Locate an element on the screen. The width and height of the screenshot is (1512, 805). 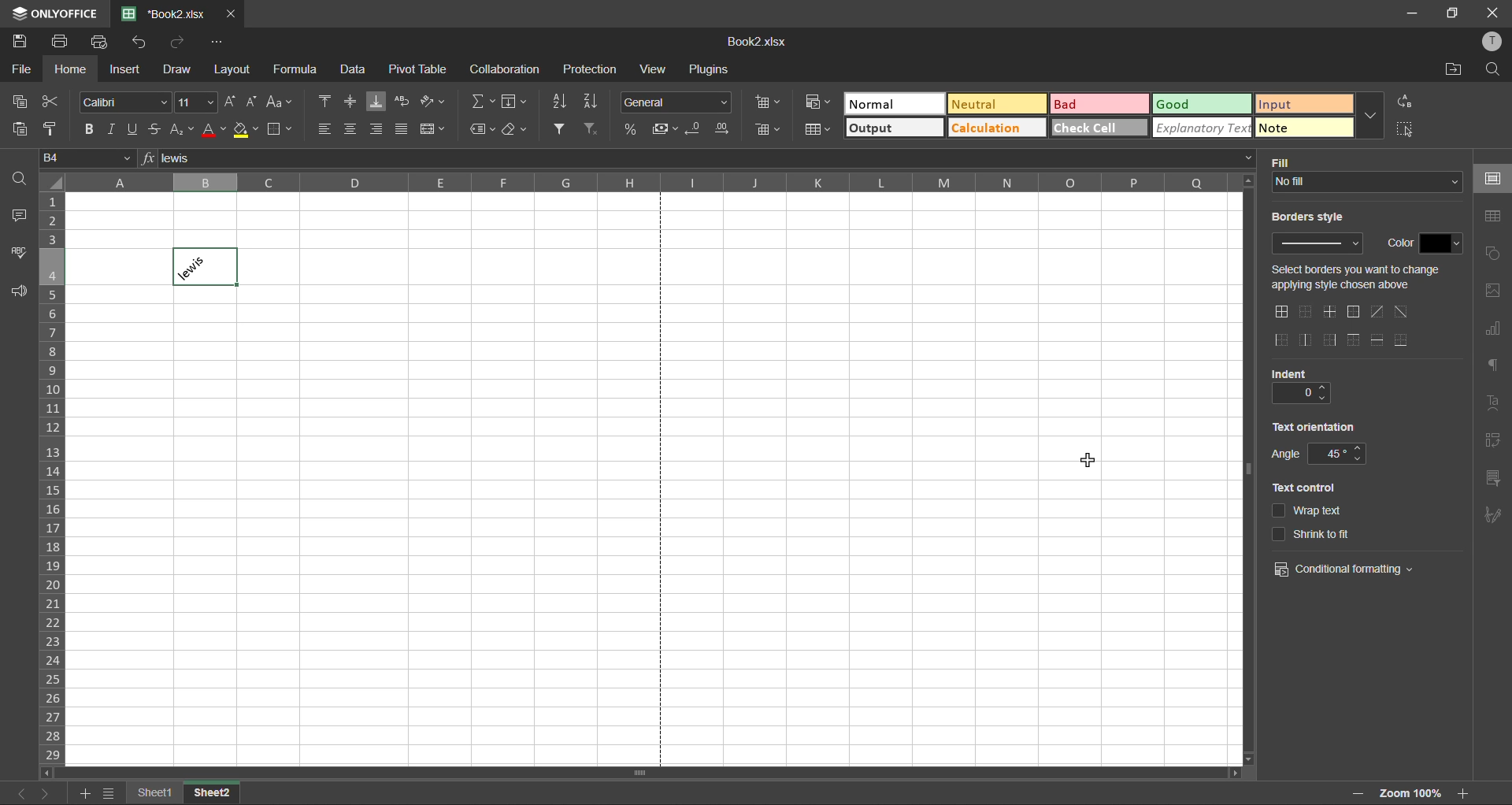
quick print is located at coordinates (98, 41).